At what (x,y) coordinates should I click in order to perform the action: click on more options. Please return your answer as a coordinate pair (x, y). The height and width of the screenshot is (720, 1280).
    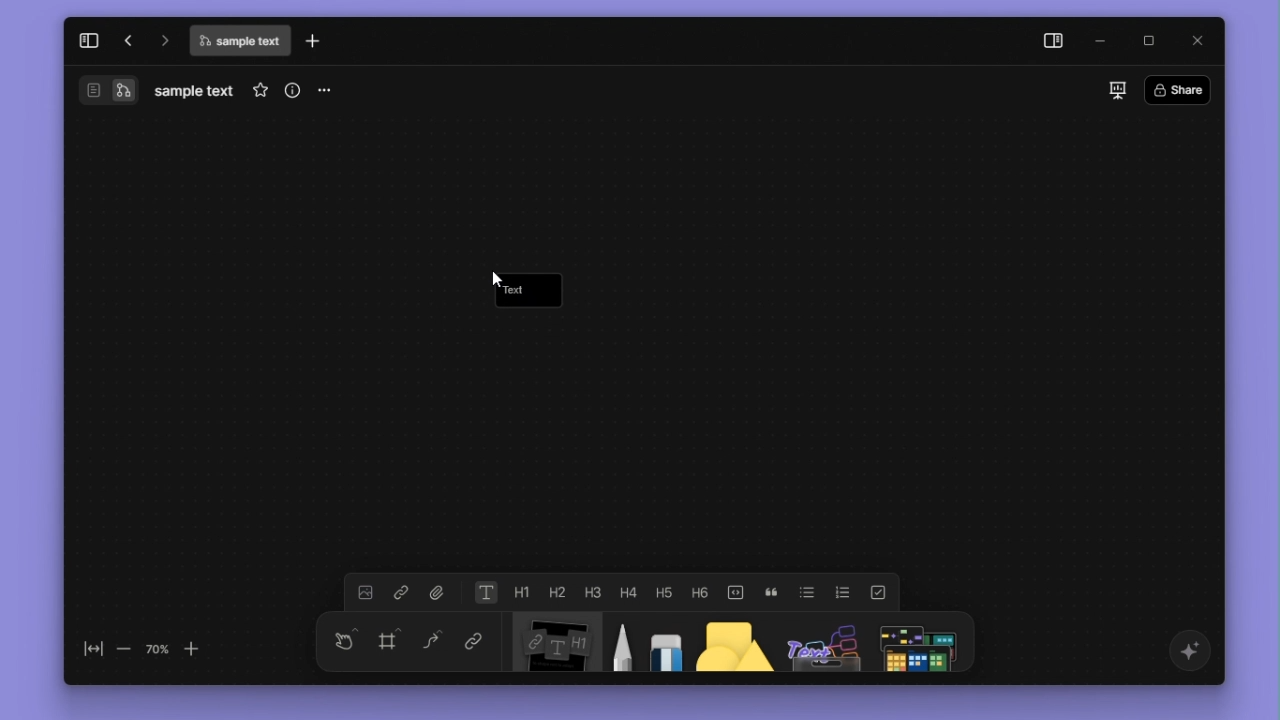
    Looking at the image, I should click on (328, 91).